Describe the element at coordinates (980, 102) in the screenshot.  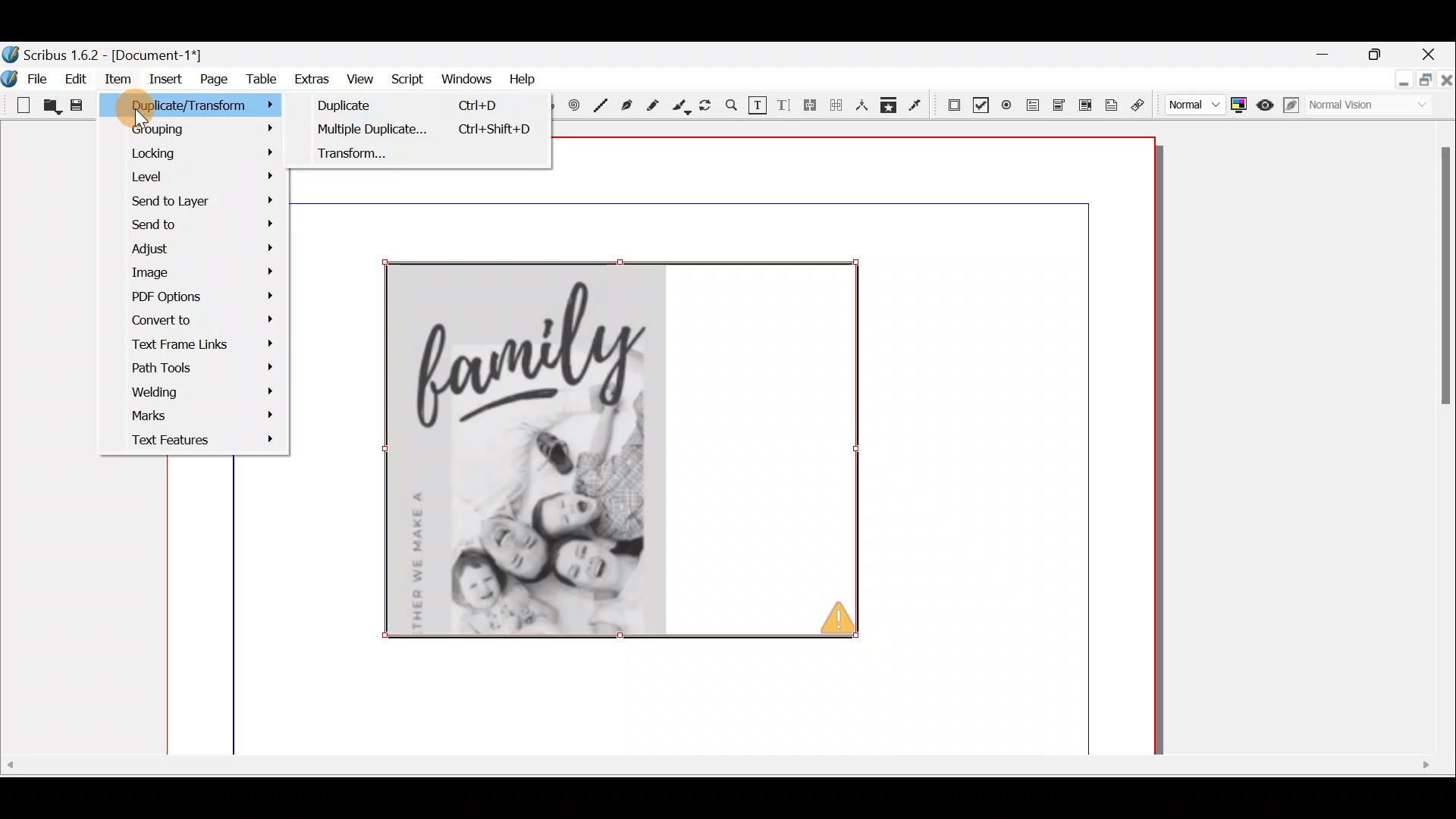
I see `PDF check box` at that location.